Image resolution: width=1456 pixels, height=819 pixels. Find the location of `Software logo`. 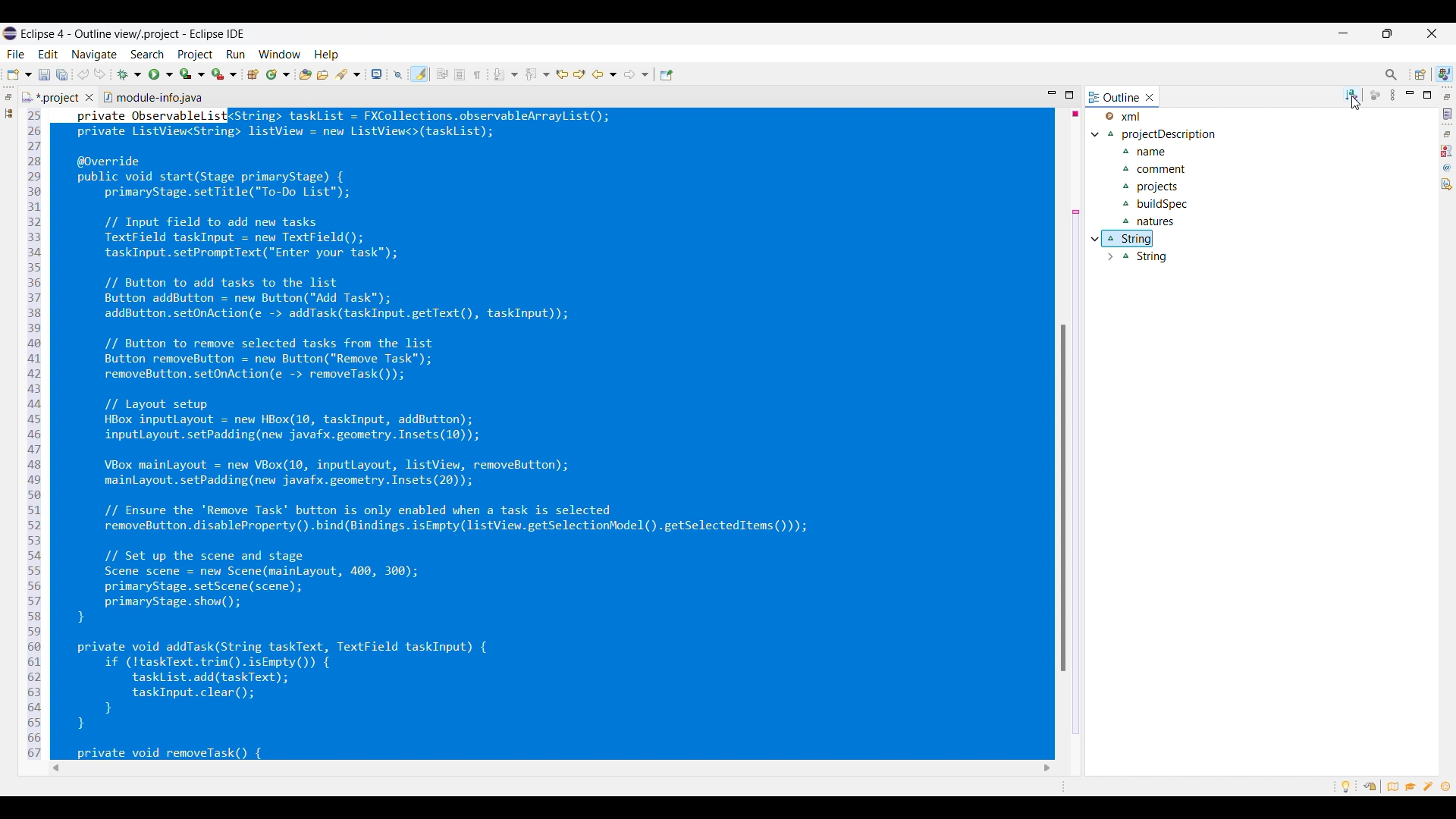

Software logo is located at coordinates (10, 33).